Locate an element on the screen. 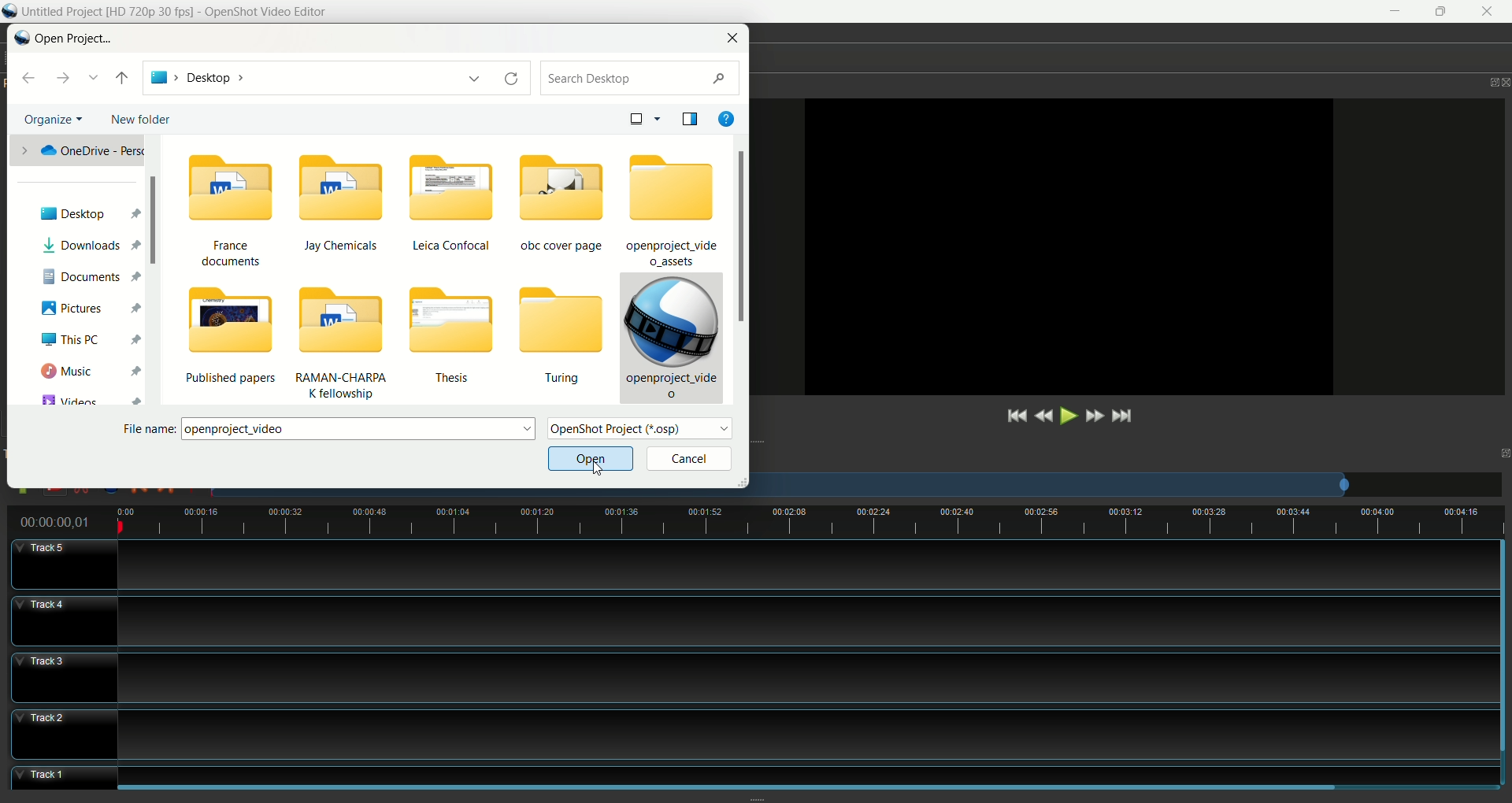 Image resolution: width=1512 pixels, height=803 pixels. maximize is located at coordinates (1480, 81).